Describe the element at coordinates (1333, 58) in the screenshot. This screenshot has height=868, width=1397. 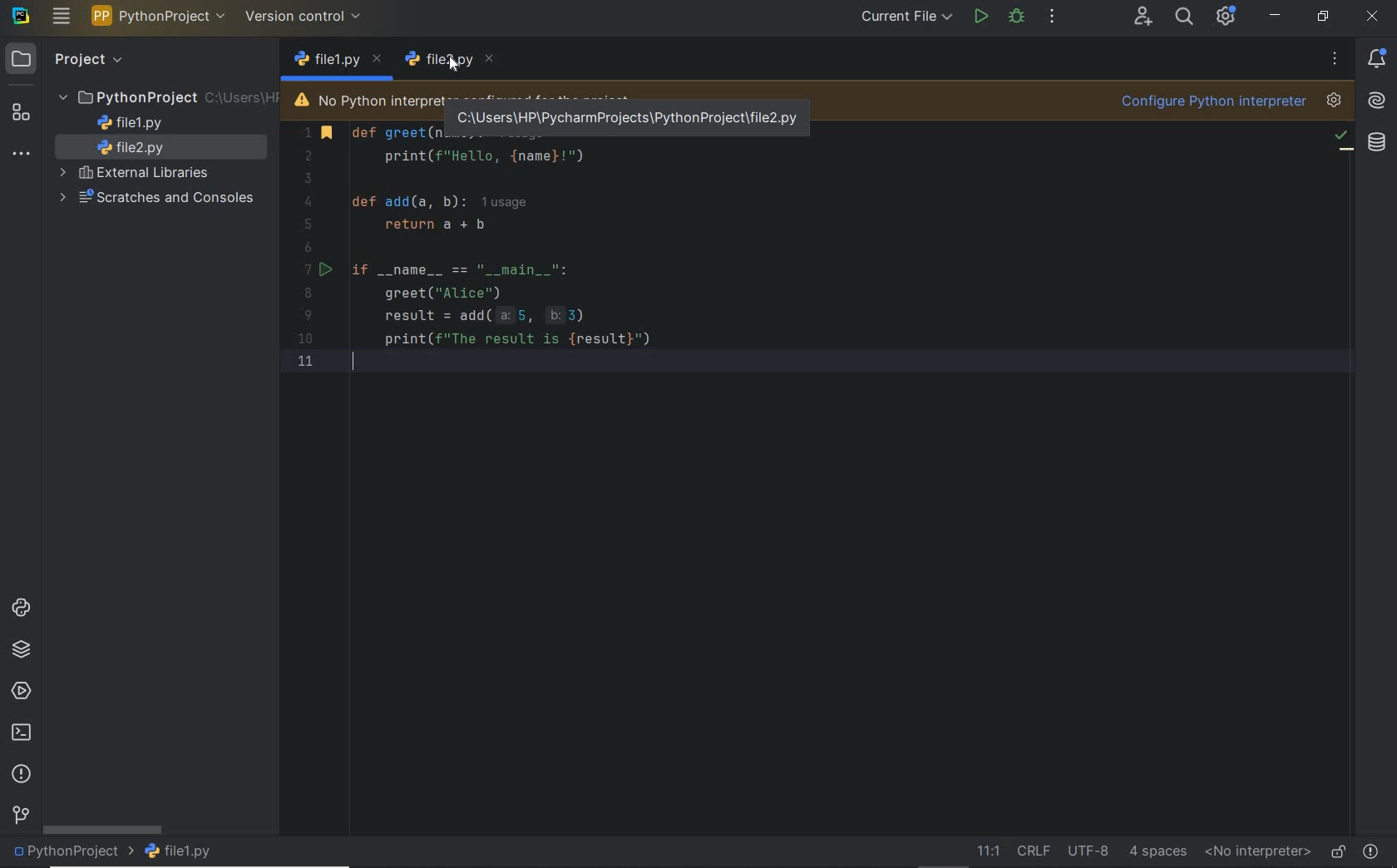
I see `more options` at that location.